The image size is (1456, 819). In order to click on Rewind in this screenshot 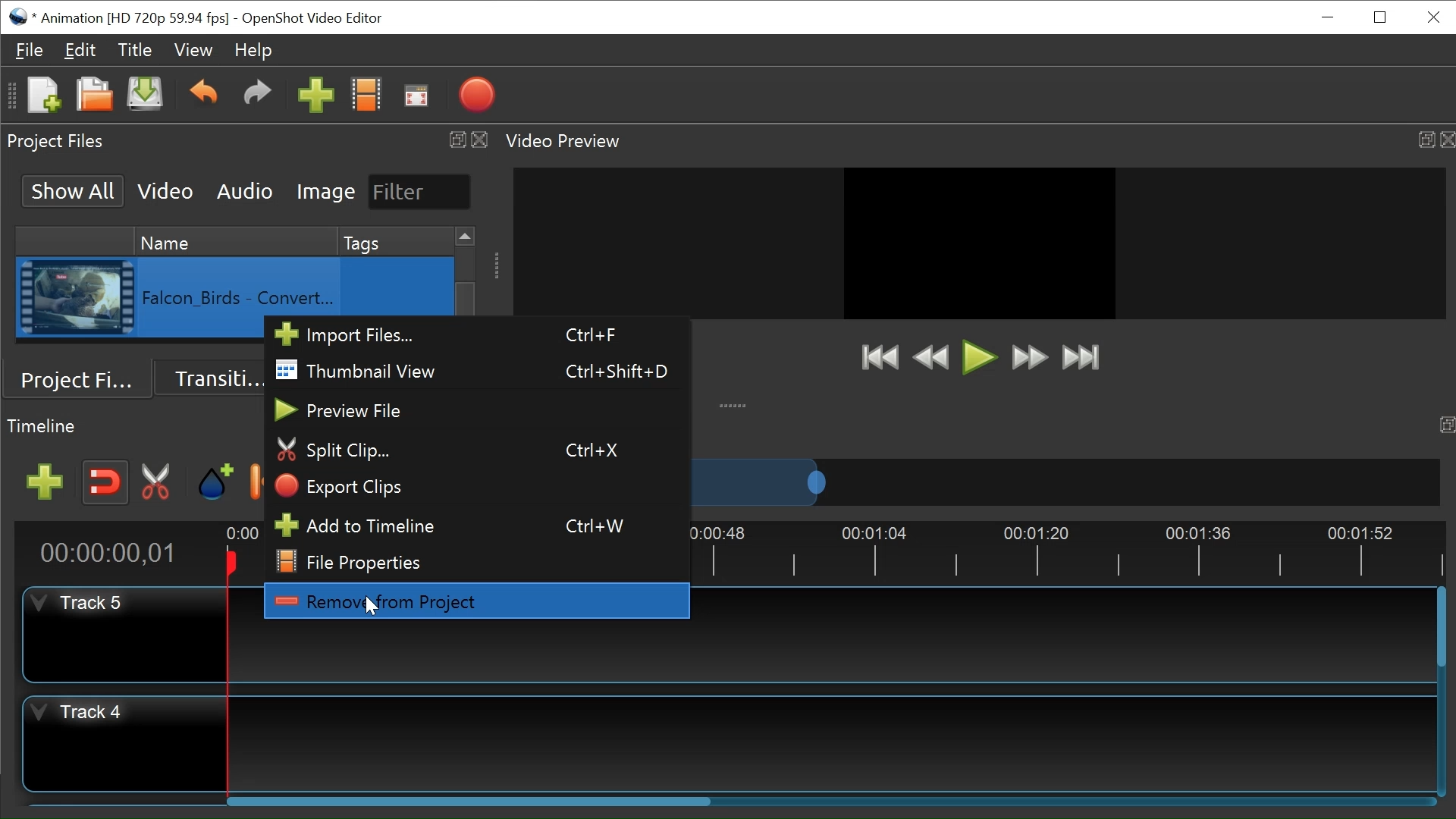, I will do `click(935, 359)`.